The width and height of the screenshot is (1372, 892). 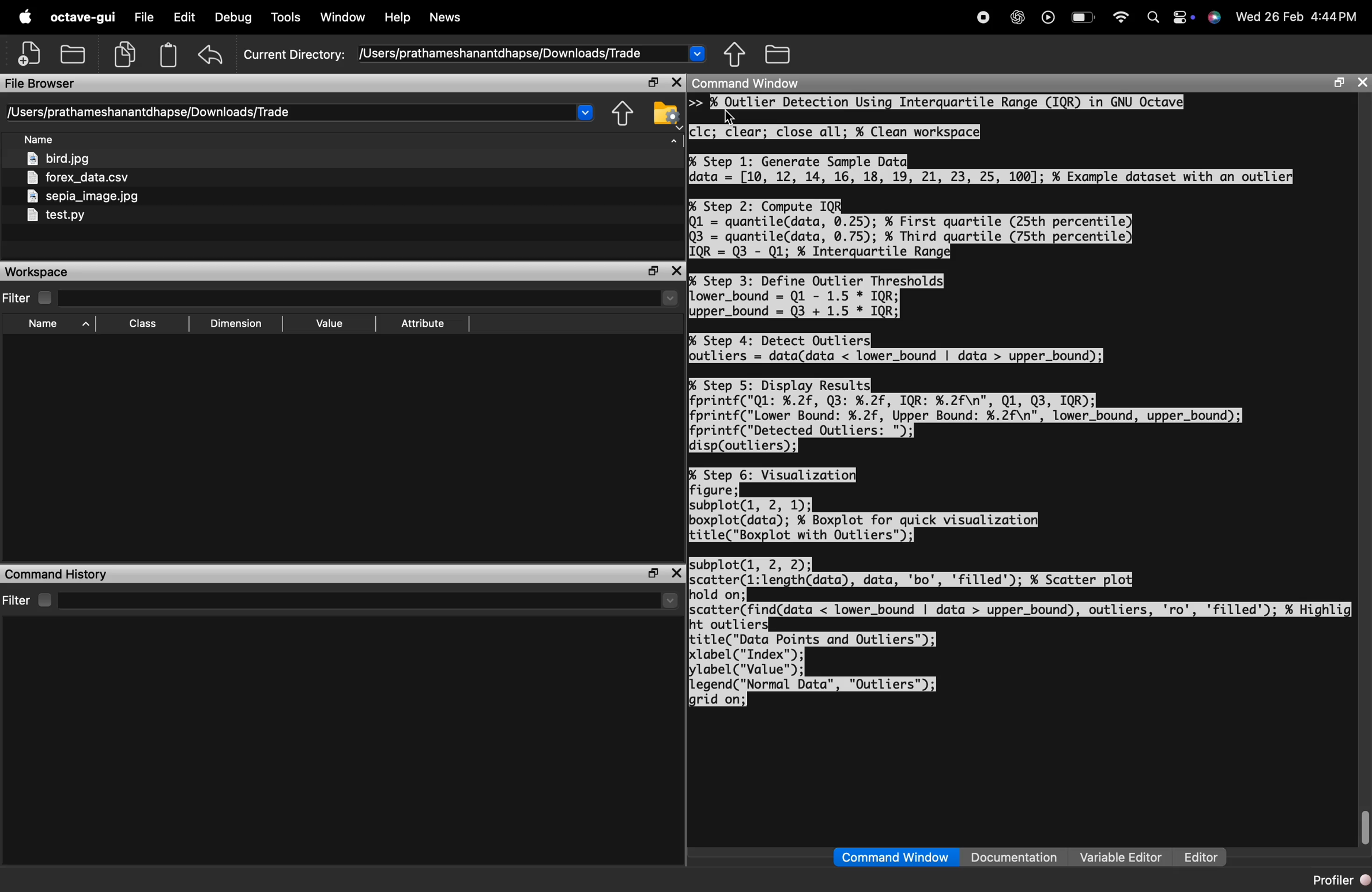 I want to click on bs Qutlier Detection Using Interquartile Range (IQR) in GNU Octave, so click(x=946, y=101).